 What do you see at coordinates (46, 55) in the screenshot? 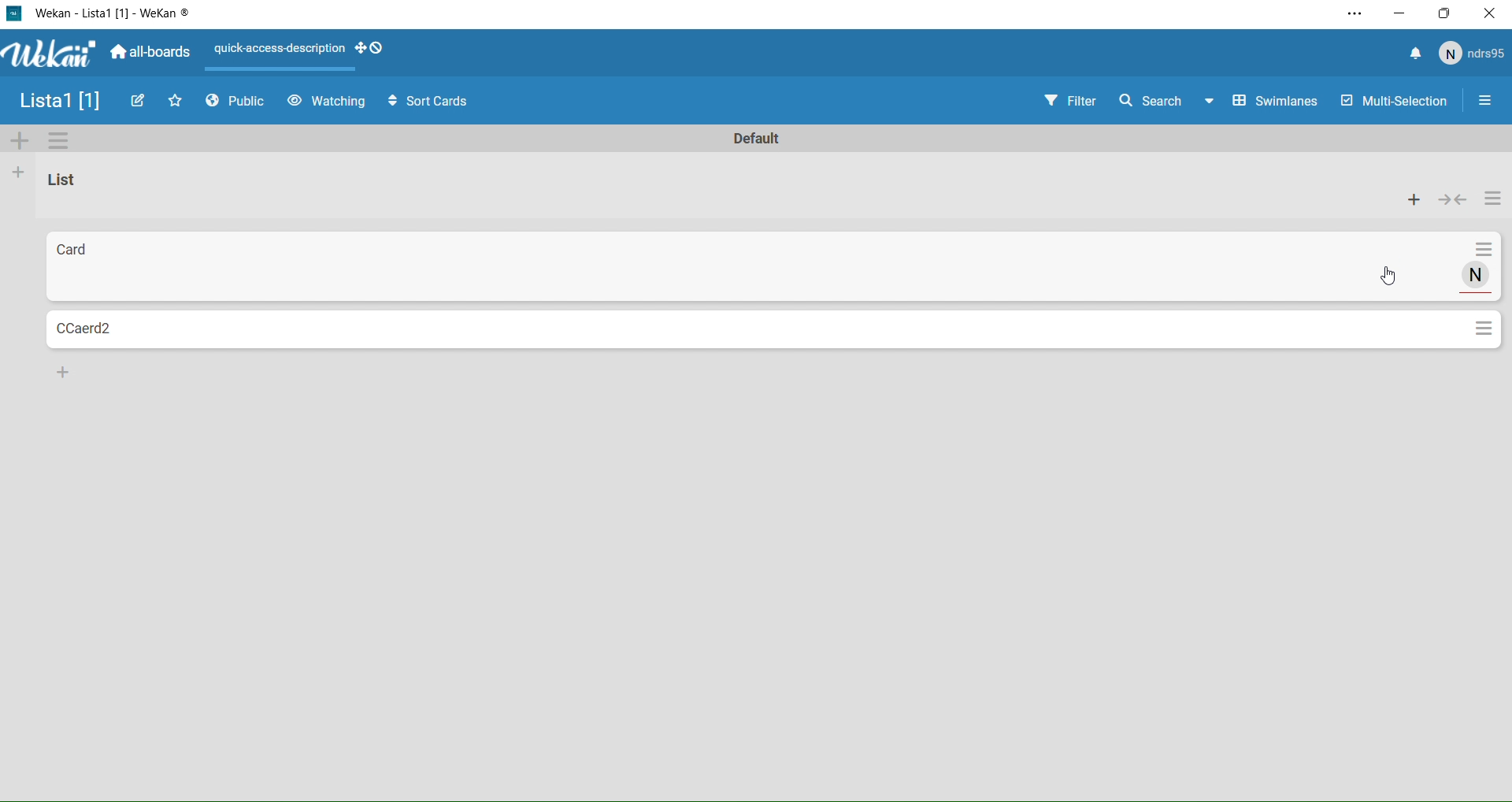
I see `Wekan logo` at bounding box center [46, 55].